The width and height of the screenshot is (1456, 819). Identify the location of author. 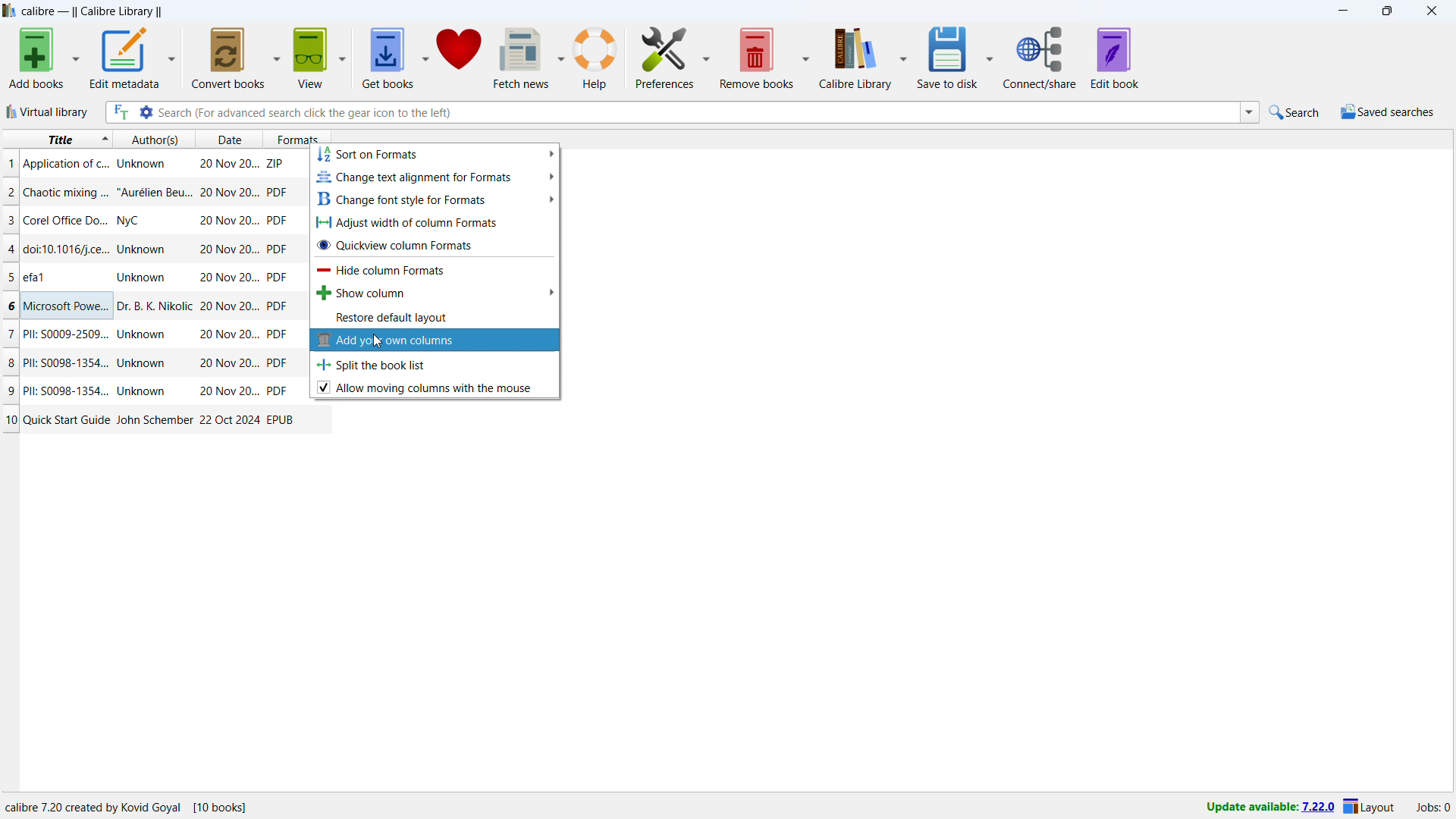
(145, 248).